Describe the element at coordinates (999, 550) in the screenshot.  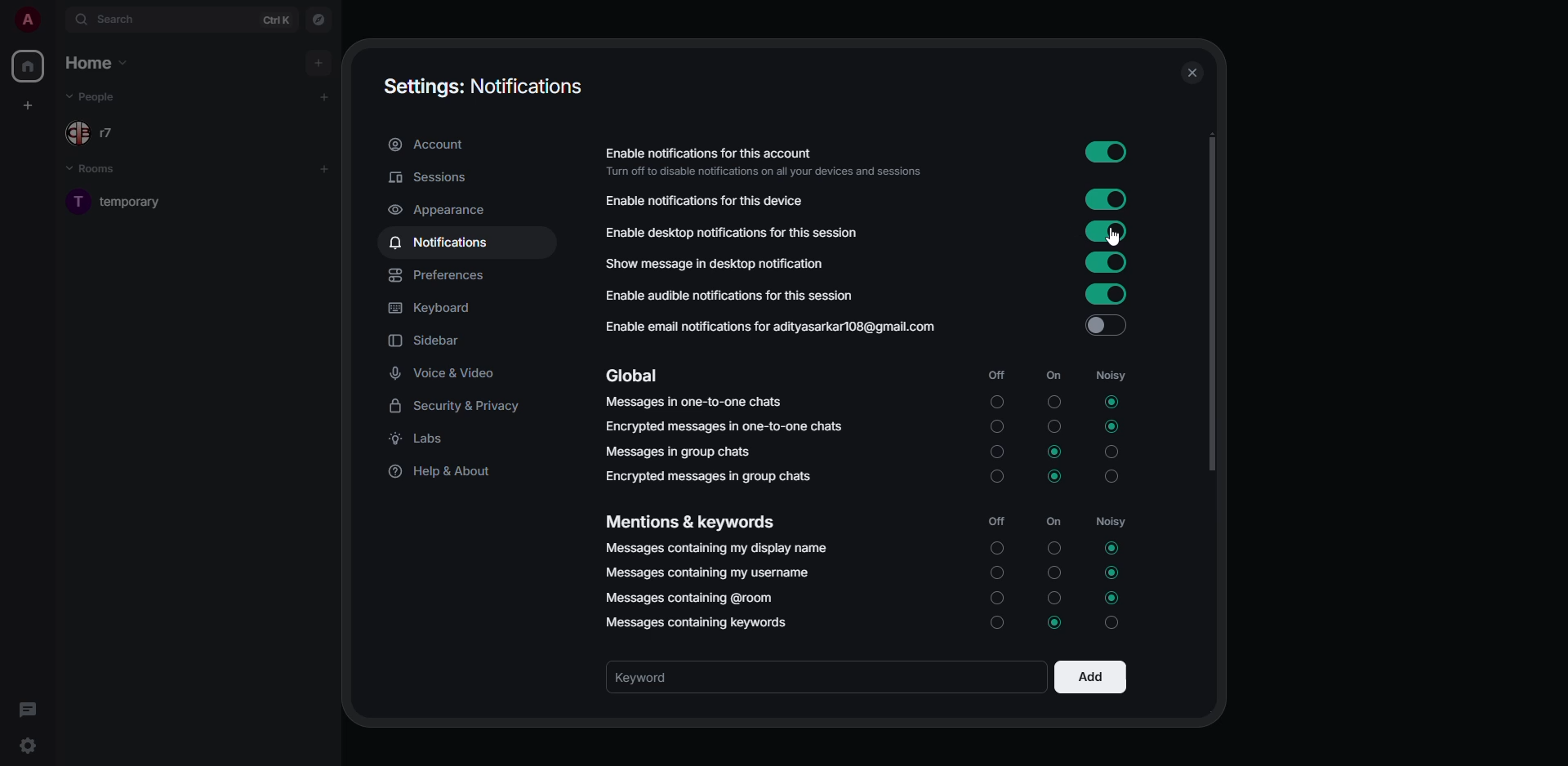
I see `Off Unselected` at that location.